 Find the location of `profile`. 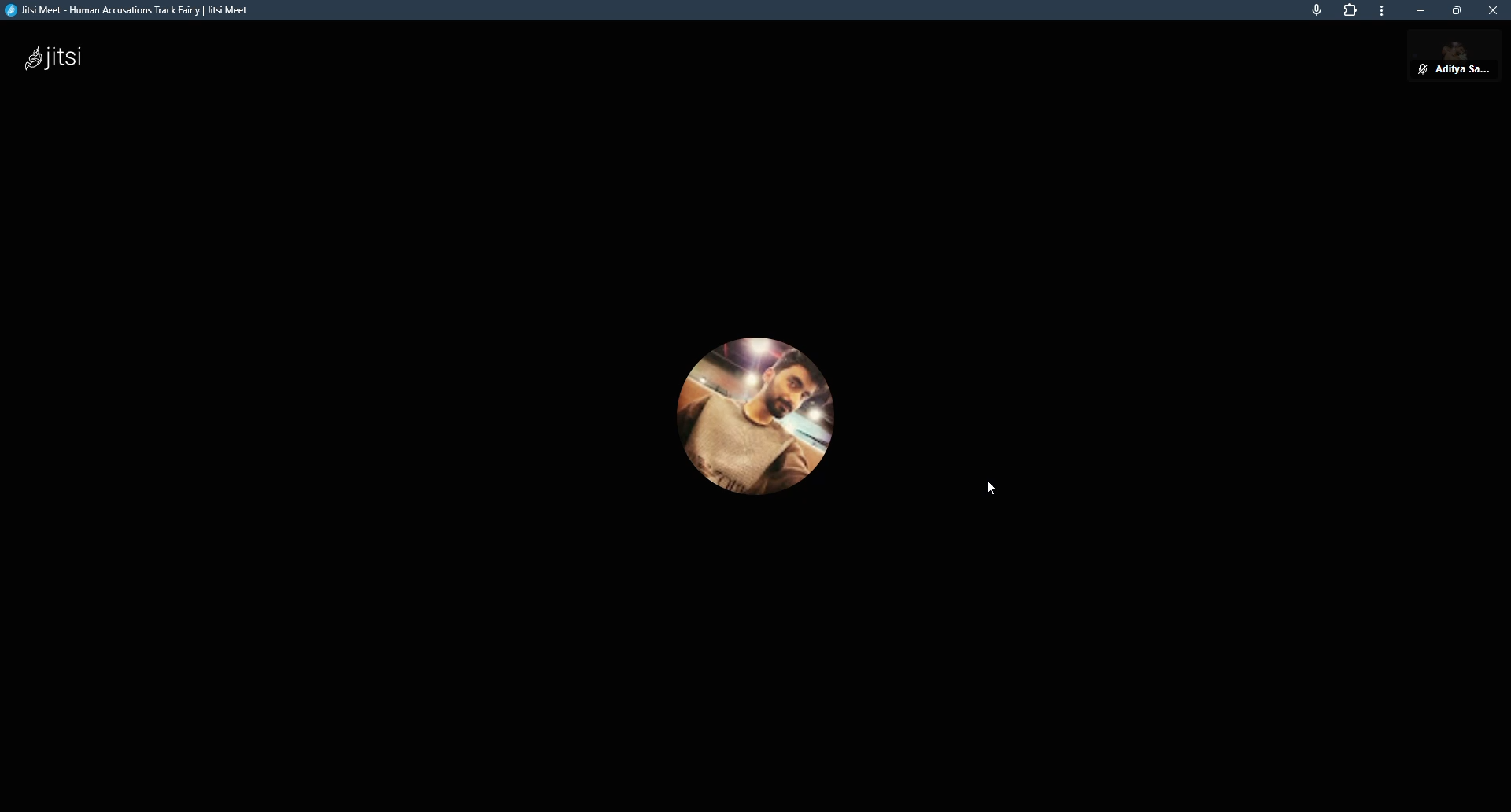

profile is located at coordinates (1465, 56).